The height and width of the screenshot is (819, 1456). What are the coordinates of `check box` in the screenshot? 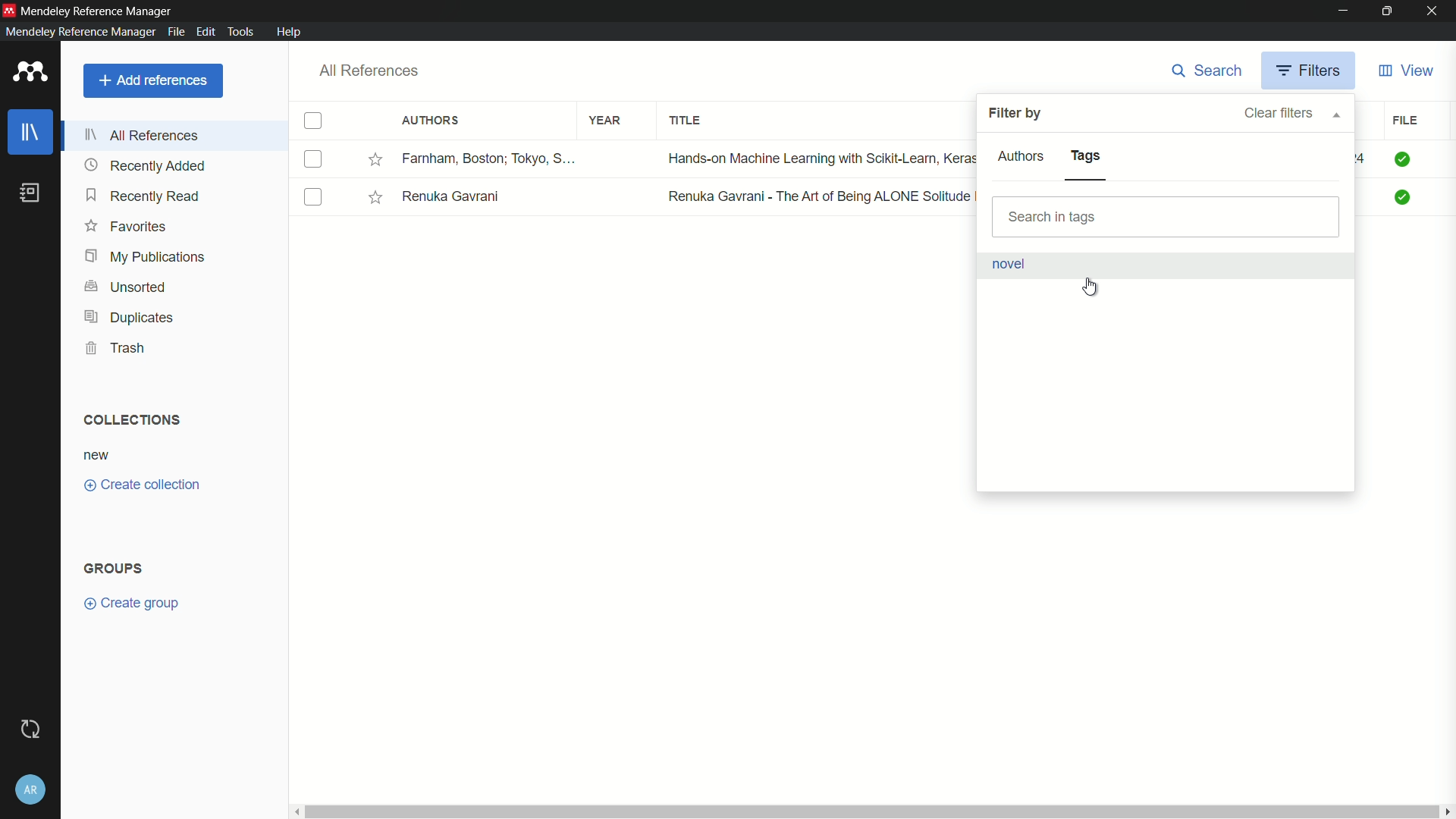 It's located at (314, 197).